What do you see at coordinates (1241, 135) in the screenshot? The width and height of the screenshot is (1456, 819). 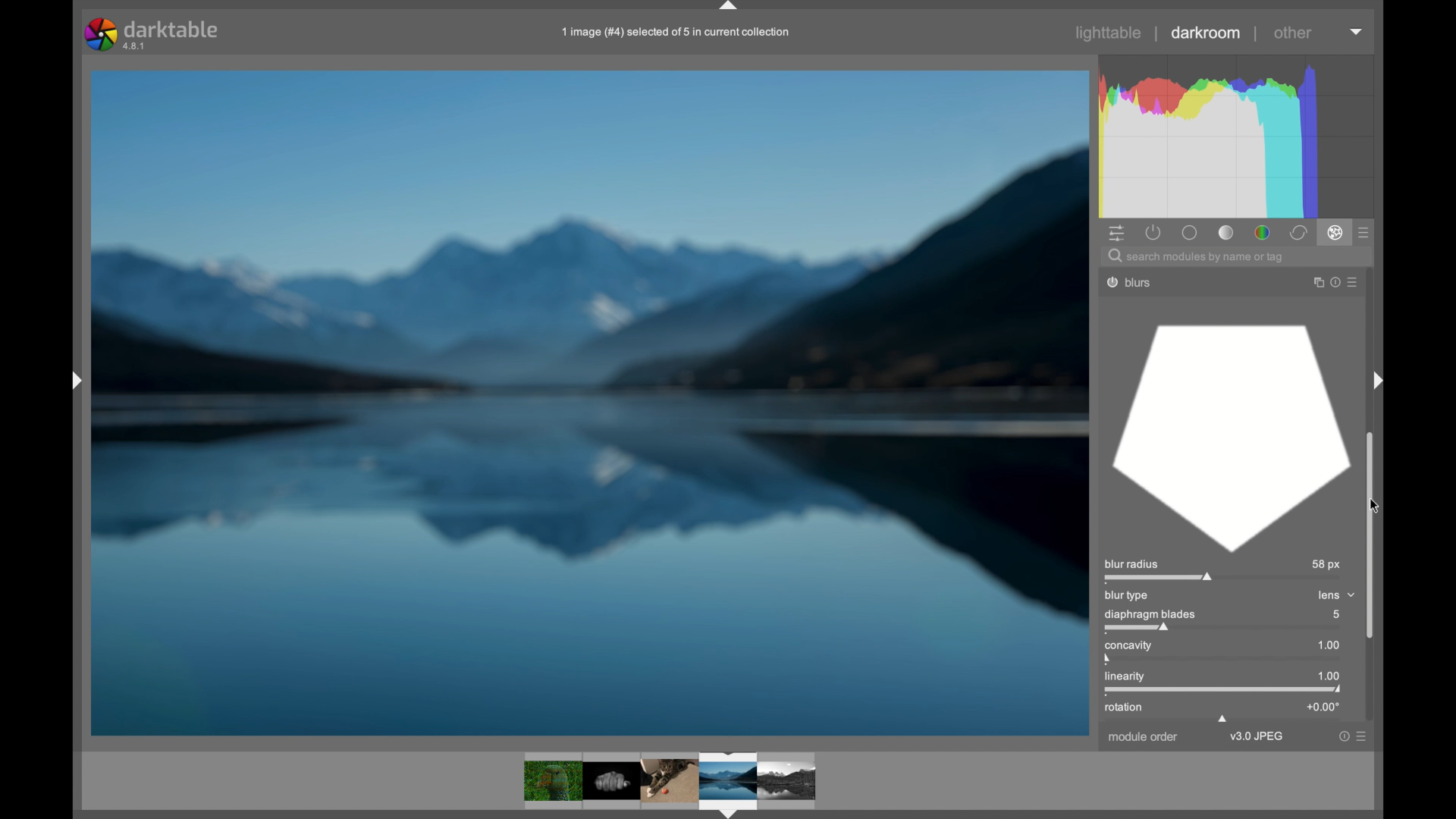 I see `histogram` at bounding box center [1241, 135].